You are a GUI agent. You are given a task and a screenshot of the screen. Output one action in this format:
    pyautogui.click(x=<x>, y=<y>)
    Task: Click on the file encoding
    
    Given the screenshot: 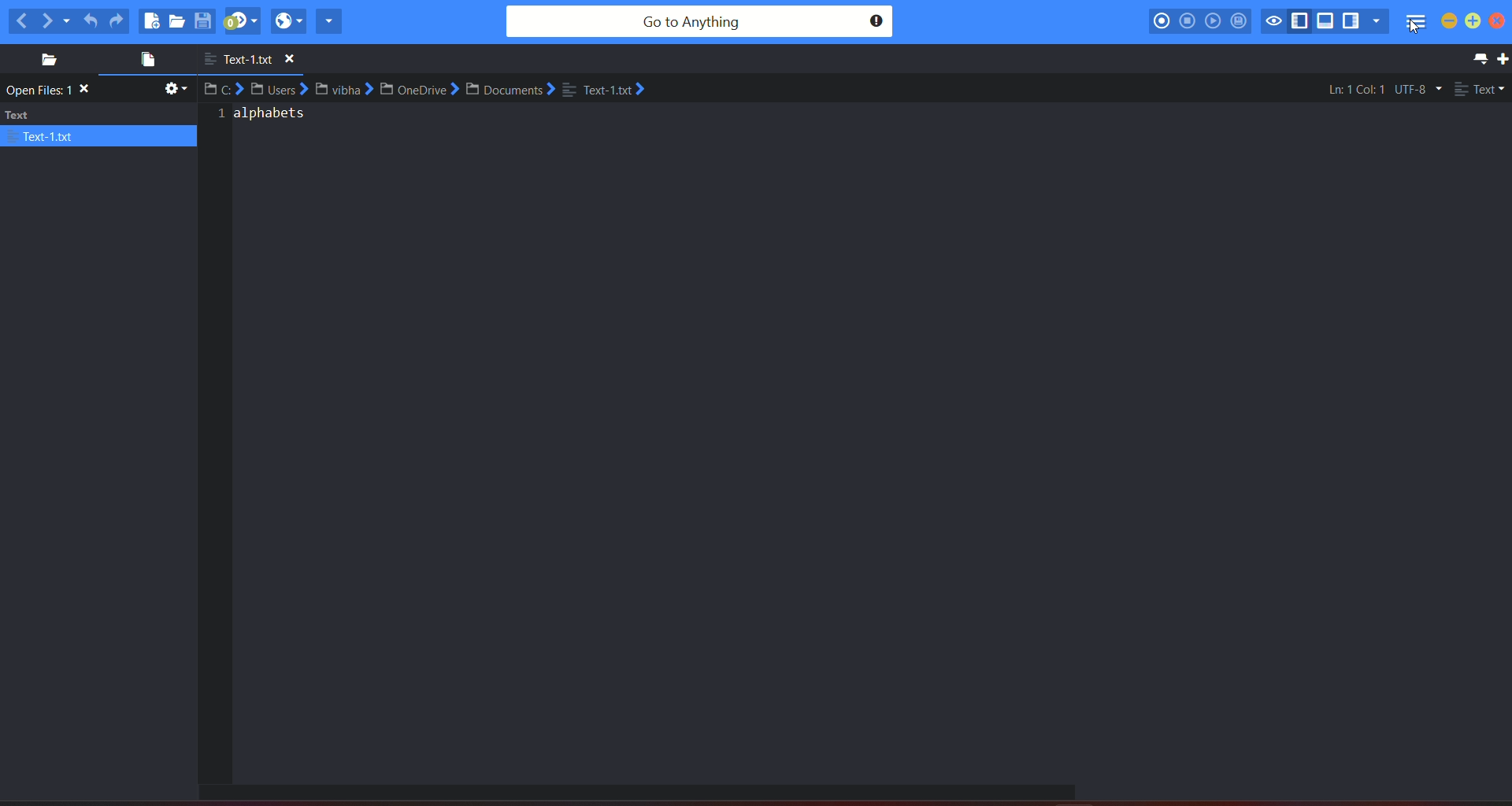 What is the action you would take?
    pyautogui.click(x=1417, y=89)
    